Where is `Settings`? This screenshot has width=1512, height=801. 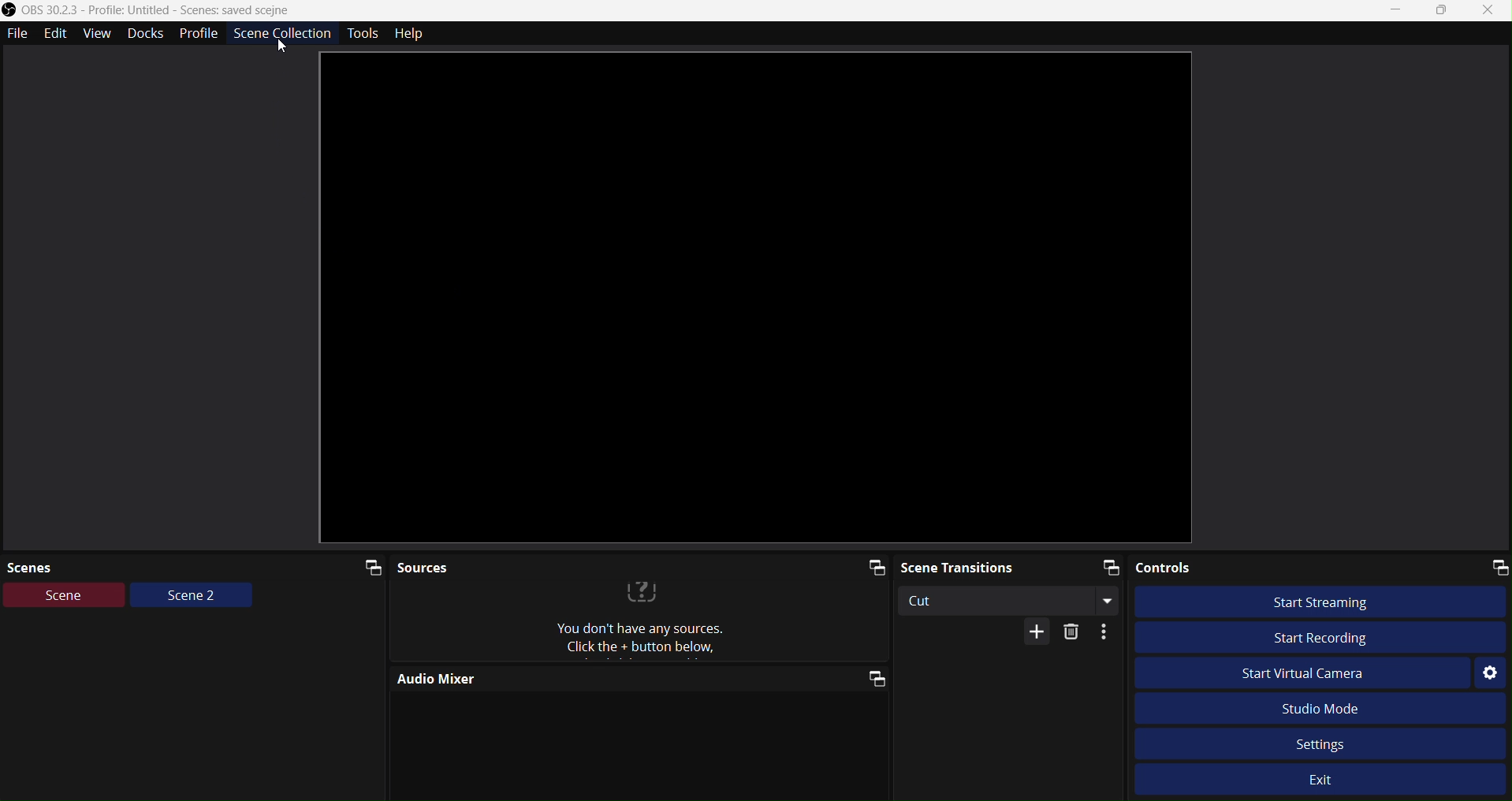
Settings is located at coordinates (1490, 674).